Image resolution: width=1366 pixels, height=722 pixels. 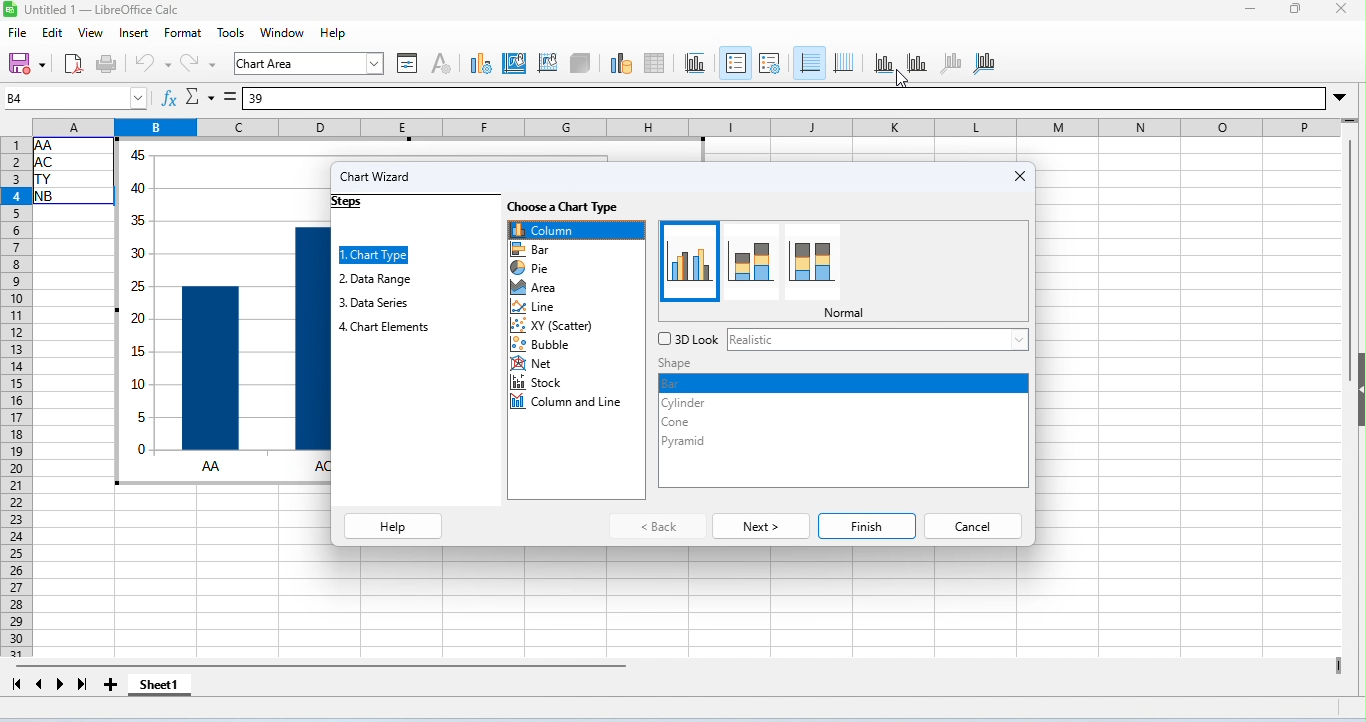 I want to click on different style, so click(x=751, y=258).